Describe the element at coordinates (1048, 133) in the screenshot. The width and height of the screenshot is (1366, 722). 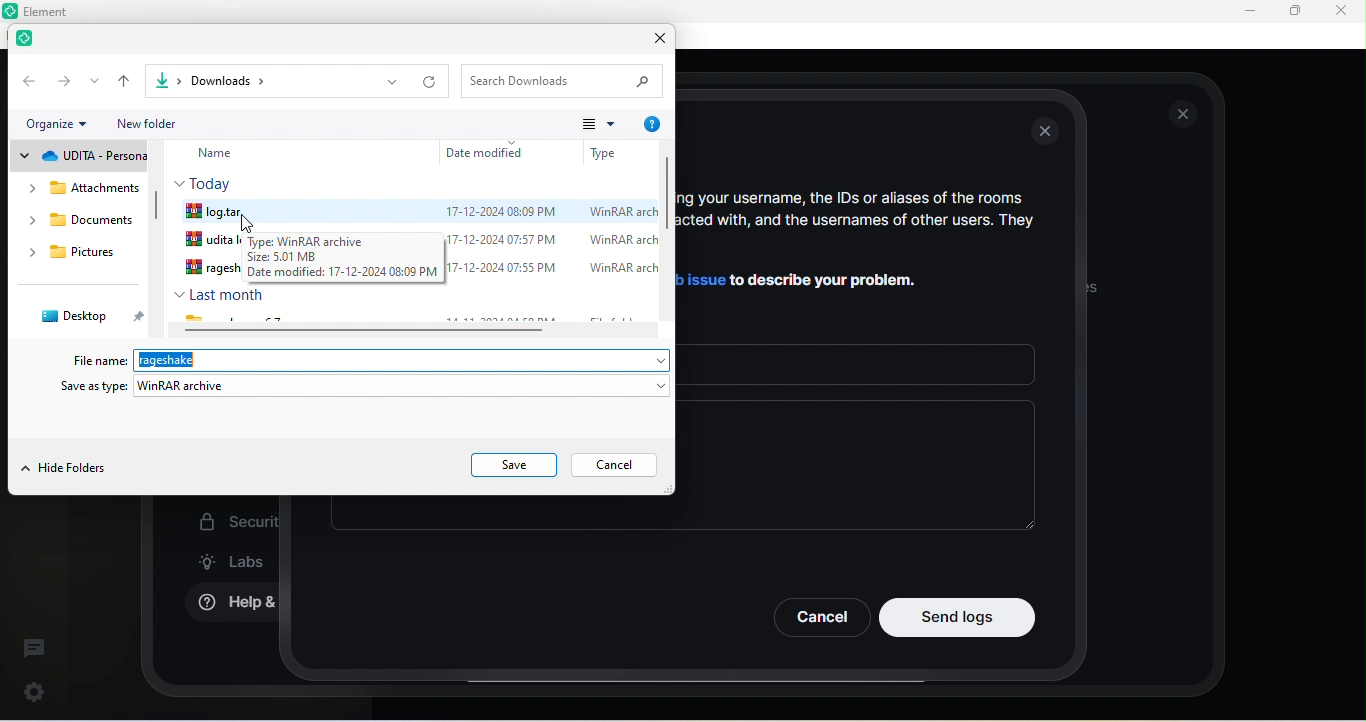
I see `close` at that location.